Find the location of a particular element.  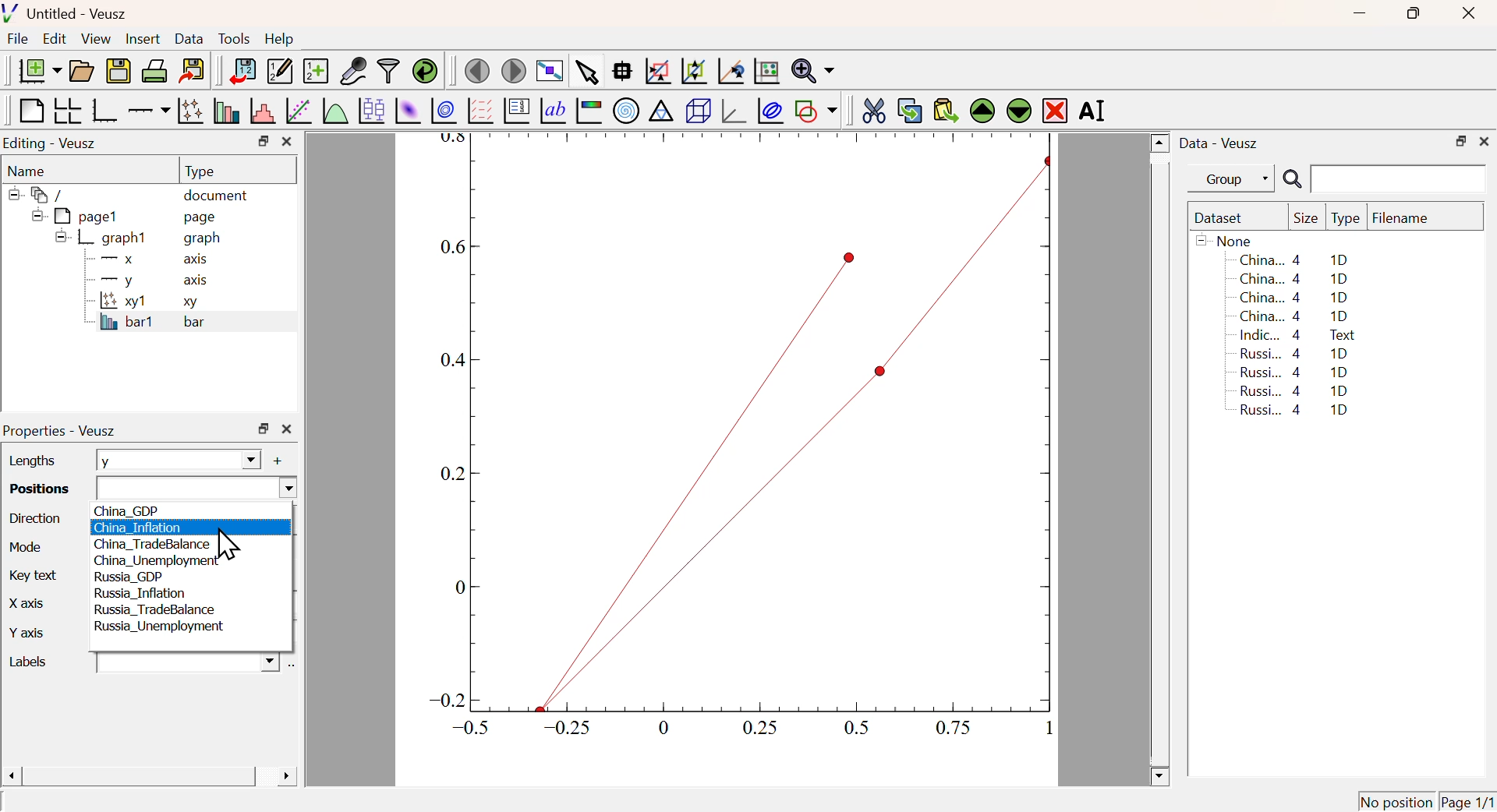

Close is located at coordinates (287, 430).